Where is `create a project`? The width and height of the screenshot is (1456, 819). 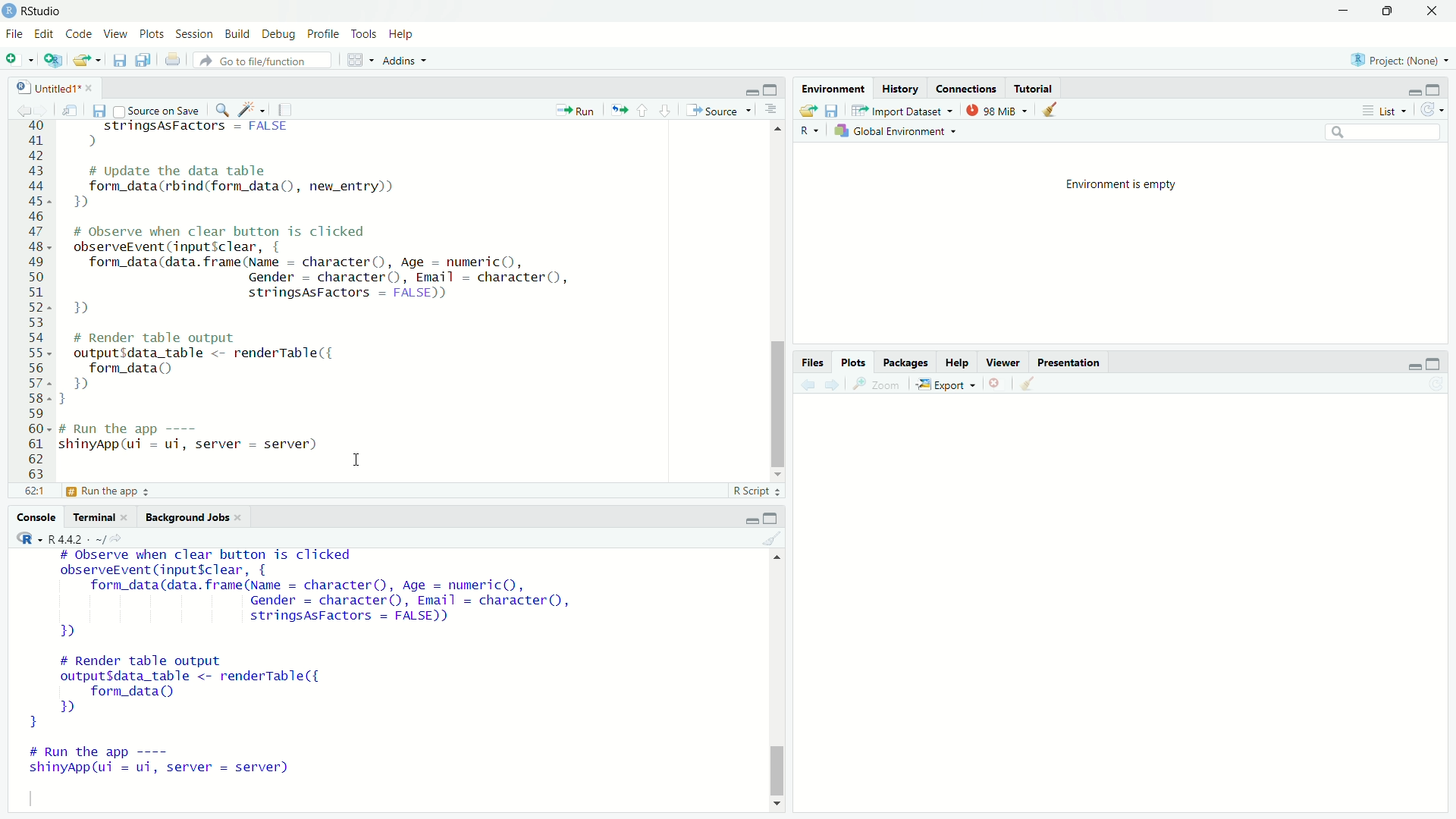 create a project is located at coordinates (53, 60).